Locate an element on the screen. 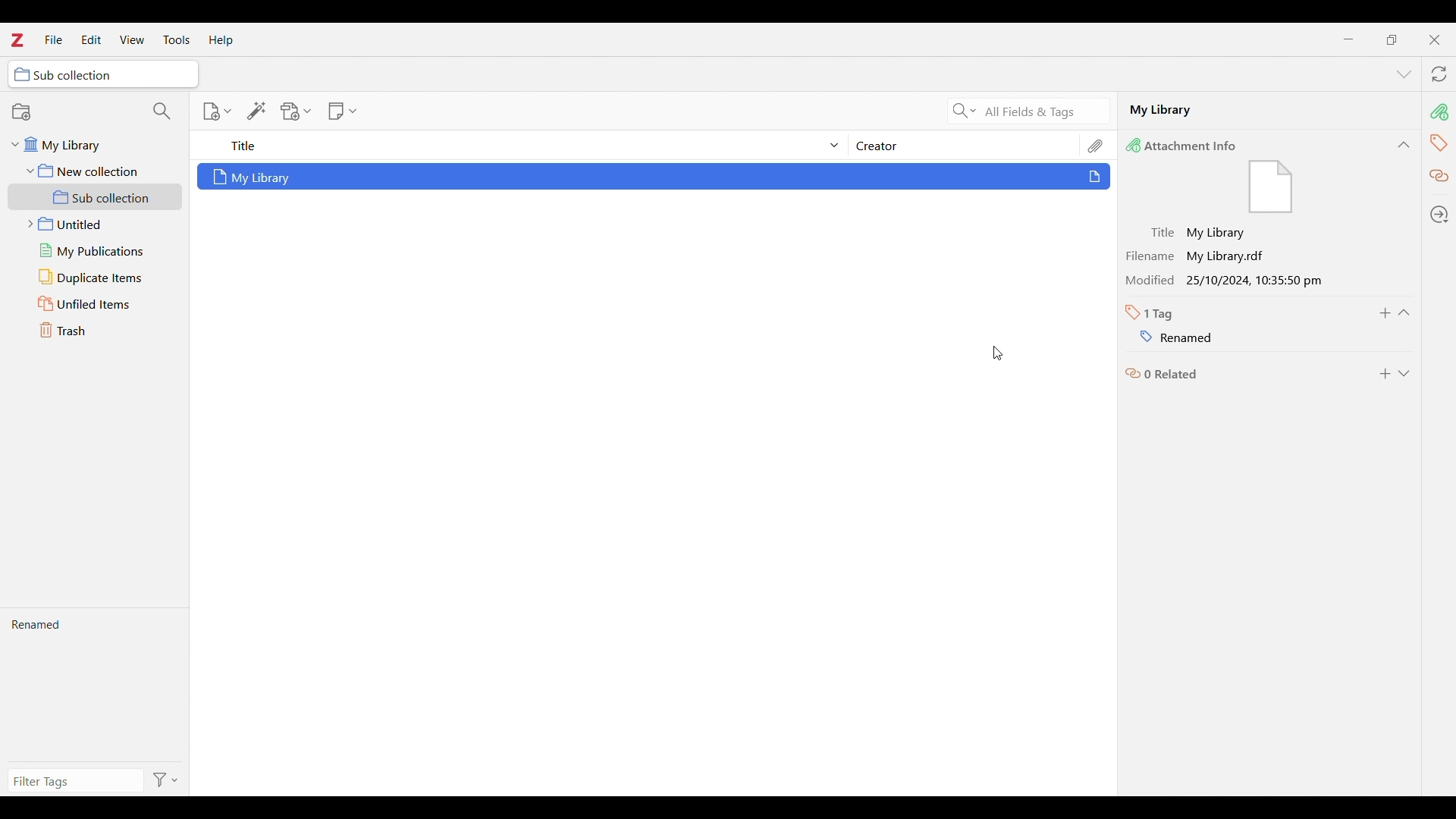  Filter options is located at coordinates (166, 781).